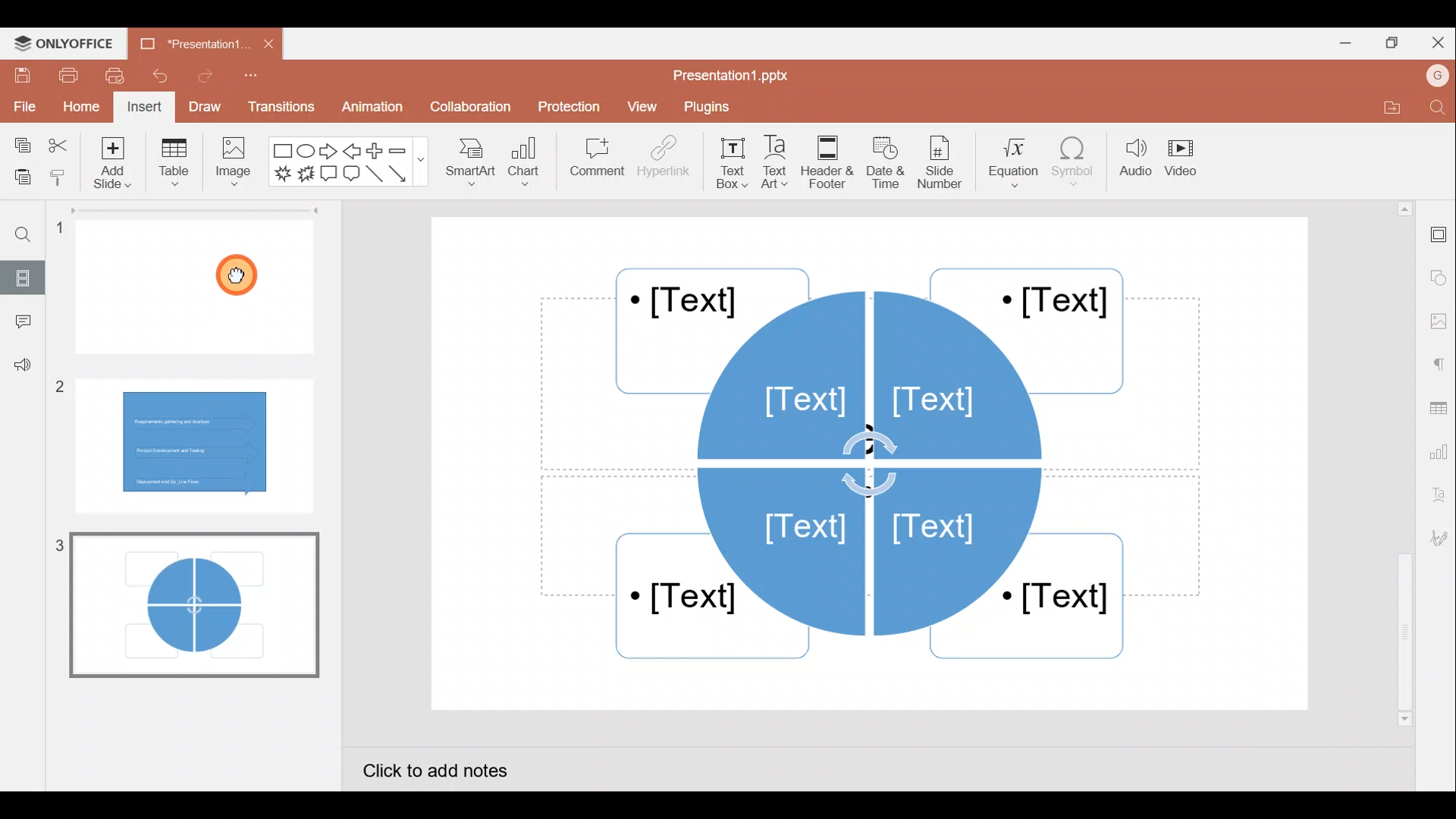 Image resolution: width=1456 pixels, height=819 pixels. What do you see at coordinates (1132, 163) in the screenshot?
I see `Audio` at bounding box center [1132, 163].